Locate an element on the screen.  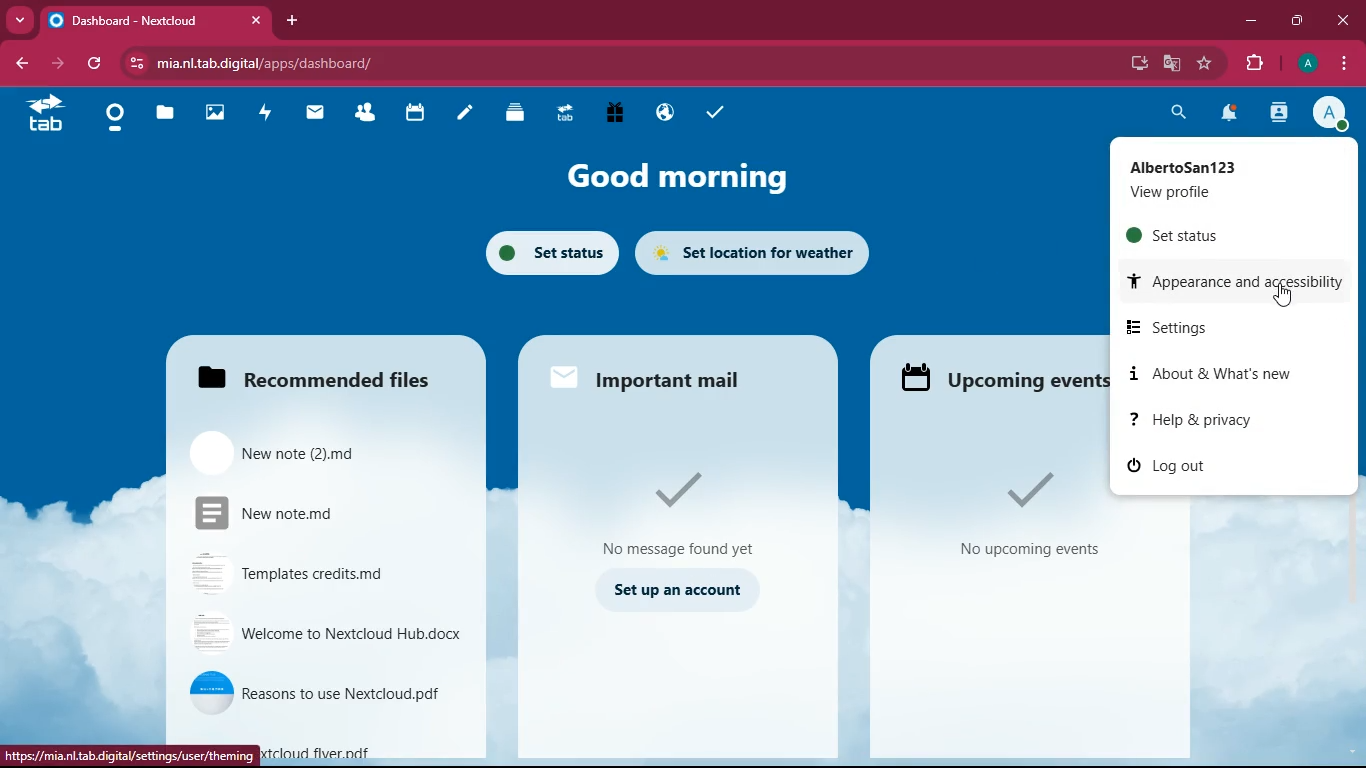
settings is located at coordinates (1213, 327).